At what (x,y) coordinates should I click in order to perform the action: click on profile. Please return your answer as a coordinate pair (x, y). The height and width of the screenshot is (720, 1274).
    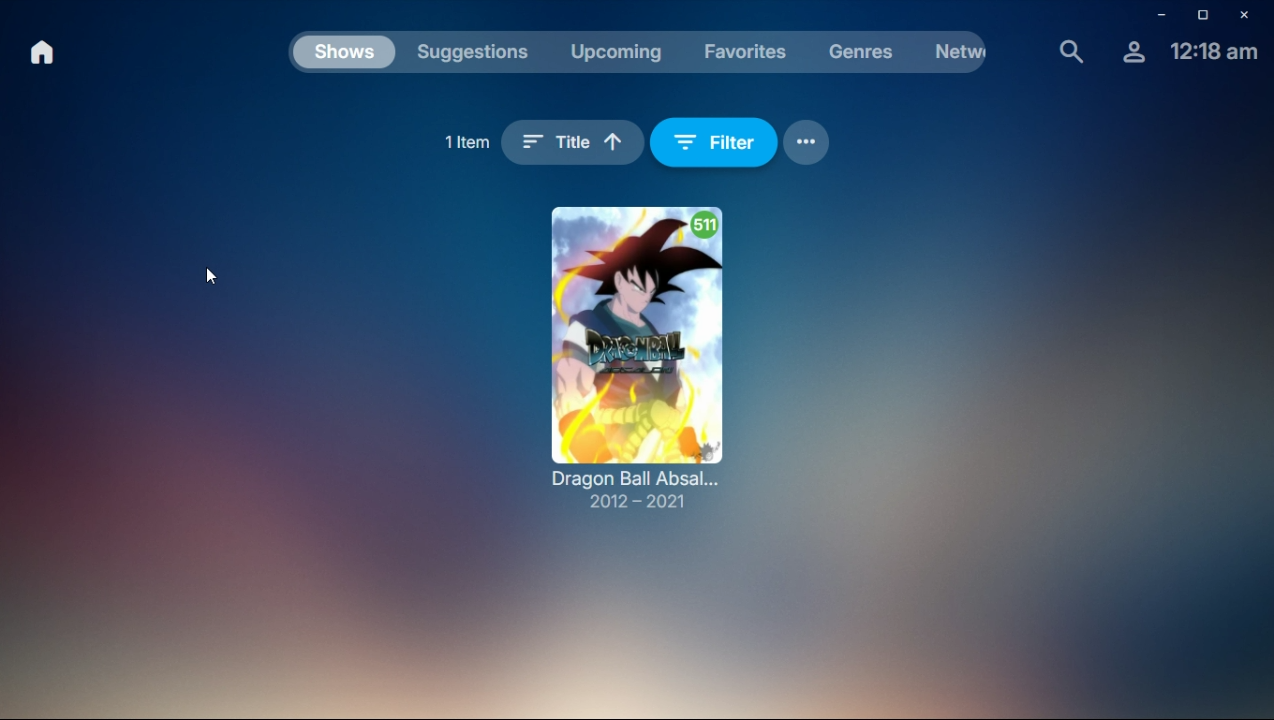
    Looking at the image, I should click on (1133, 53).